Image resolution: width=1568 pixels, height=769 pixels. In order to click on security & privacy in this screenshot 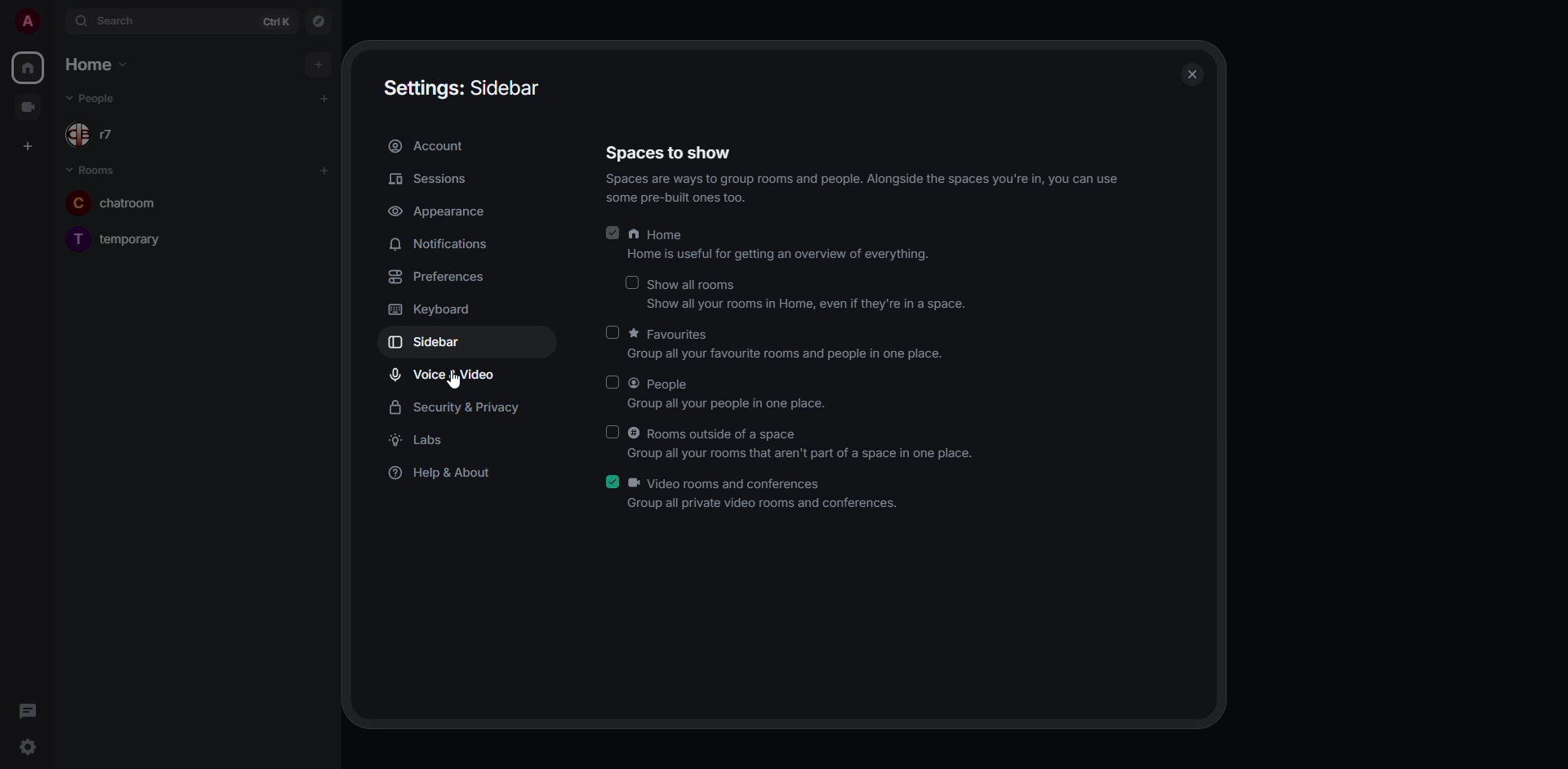, I will do `click(457, 408)`.